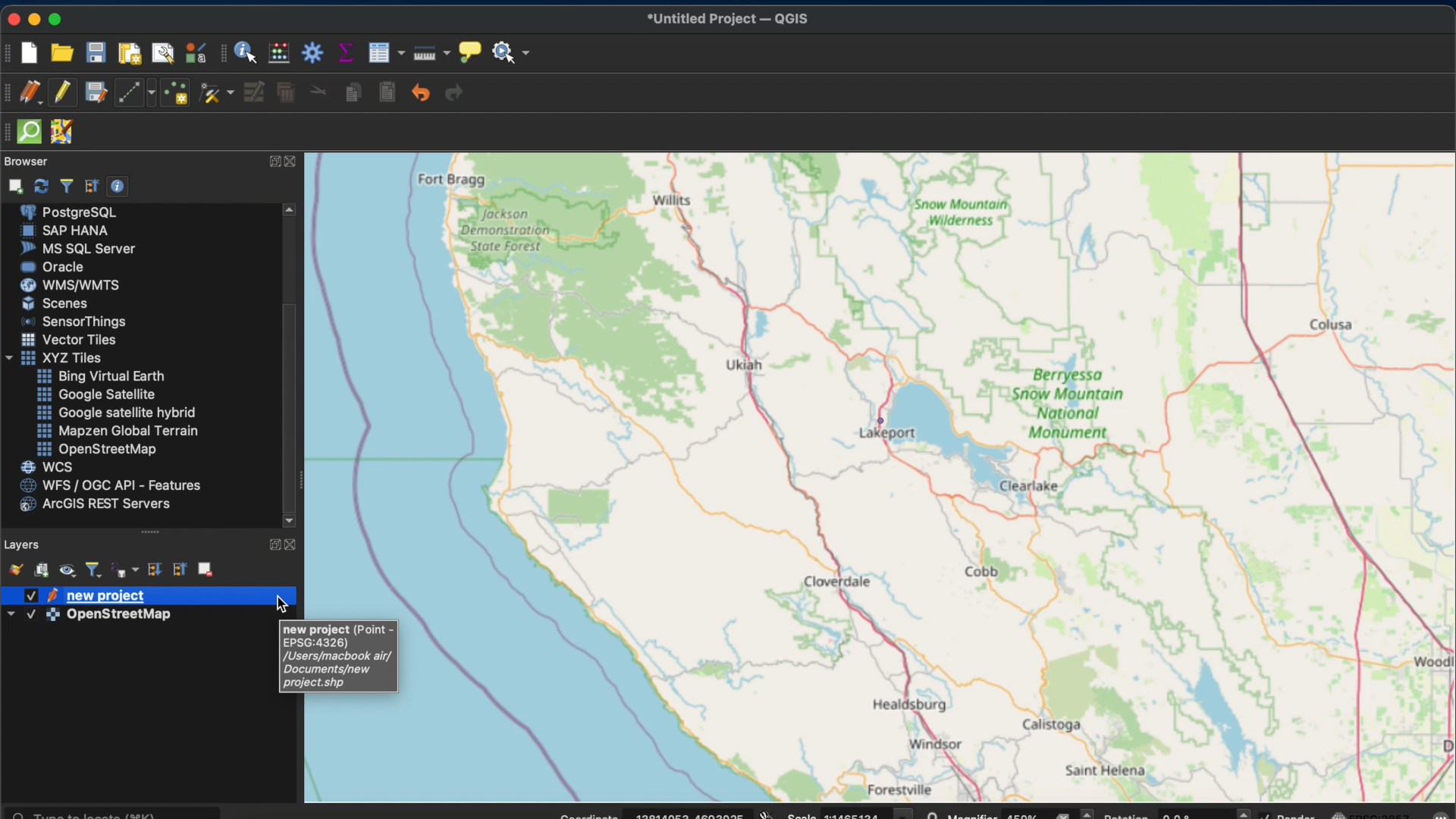 The image size is (1456, 819). I want to click on enable/ disable properties widget, so click(118, 186).